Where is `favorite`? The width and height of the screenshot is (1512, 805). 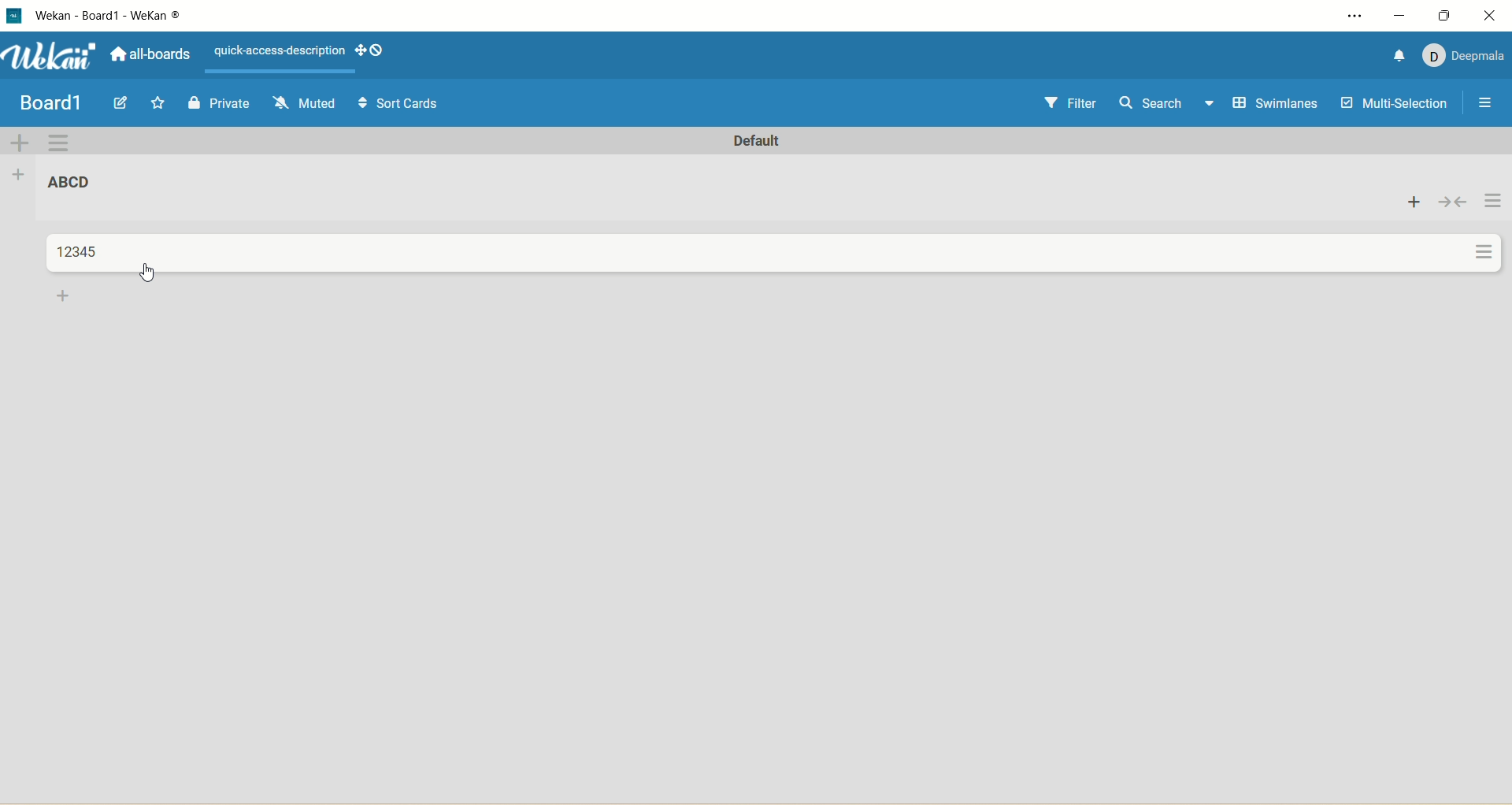 favorite is located at coordinates (154, 106).